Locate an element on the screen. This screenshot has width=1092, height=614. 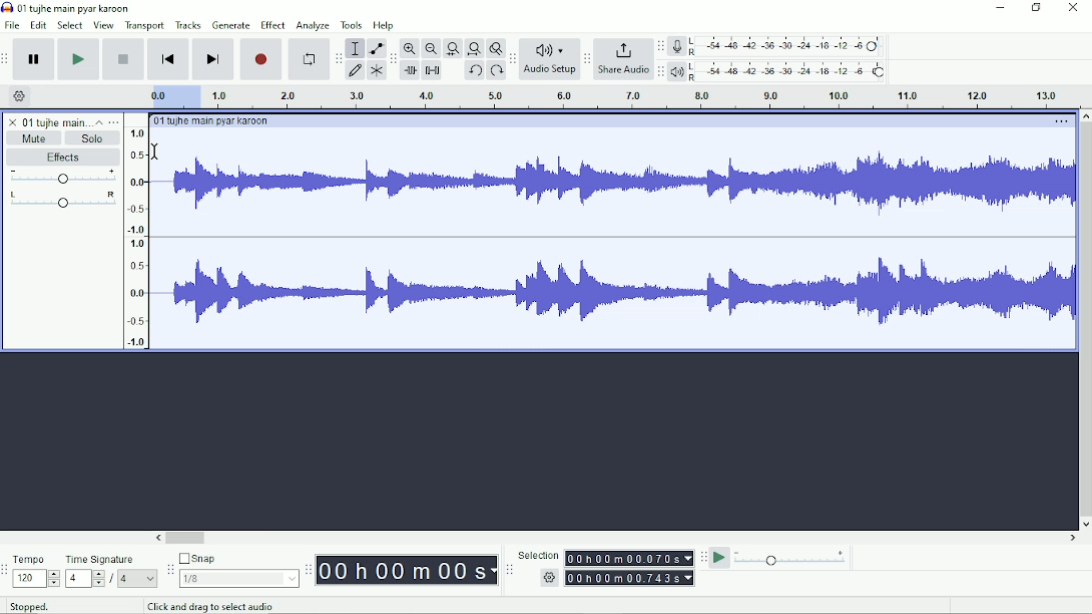
Record Meter is located at coordinates (779, 46).